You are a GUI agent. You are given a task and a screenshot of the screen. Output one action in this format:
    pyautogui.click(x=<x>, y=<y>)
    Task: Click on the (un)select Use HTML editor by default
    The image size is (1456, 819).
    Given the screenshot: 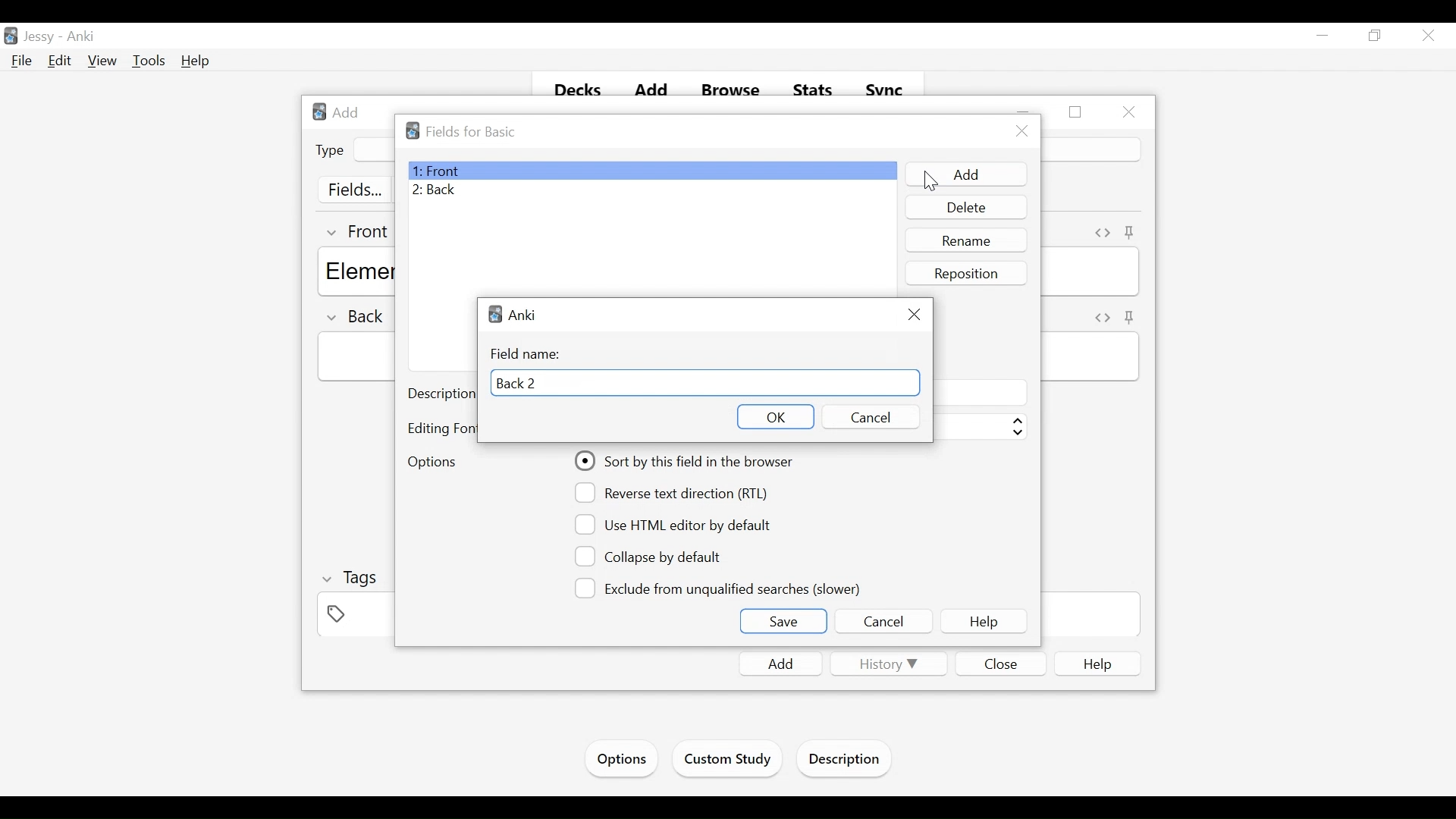 What is the action you would take?
    pyautogui.click(x=674, y=525)
    